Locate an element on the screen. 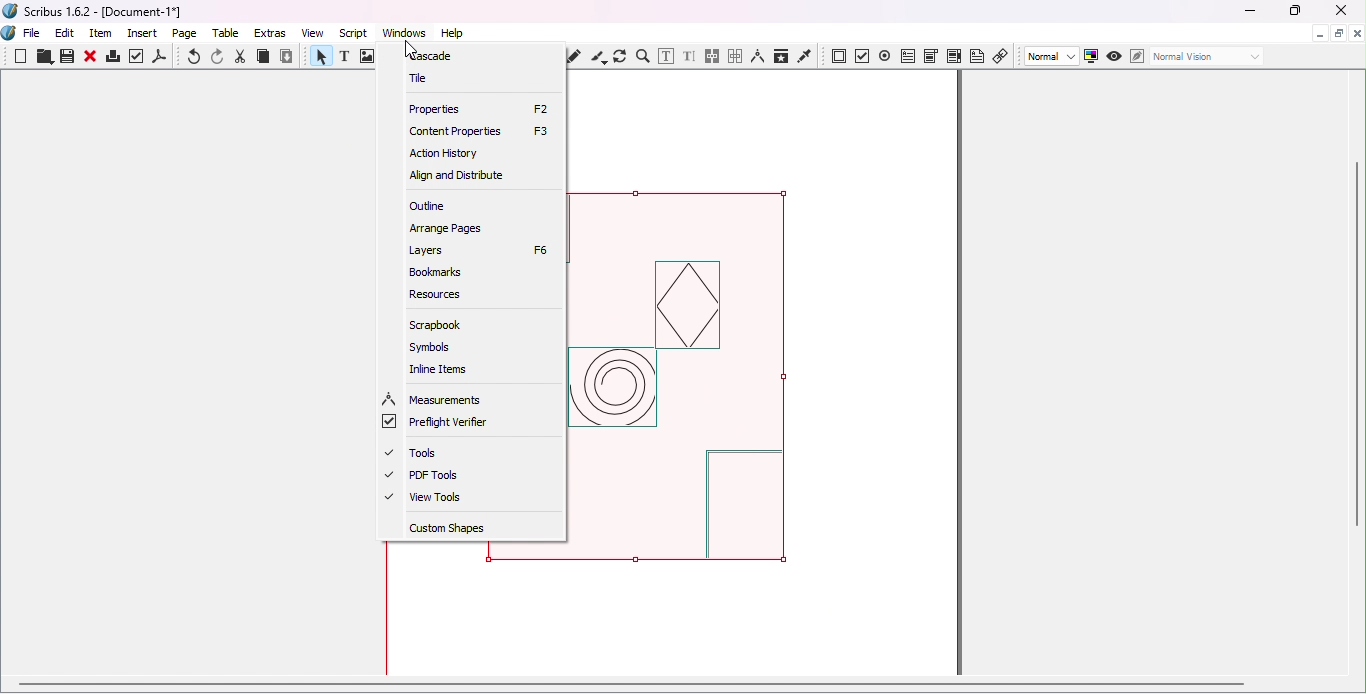 Image resolution: width=1366 pixels, height=694 pixels. Close document is located at coordinates (1357, 34).